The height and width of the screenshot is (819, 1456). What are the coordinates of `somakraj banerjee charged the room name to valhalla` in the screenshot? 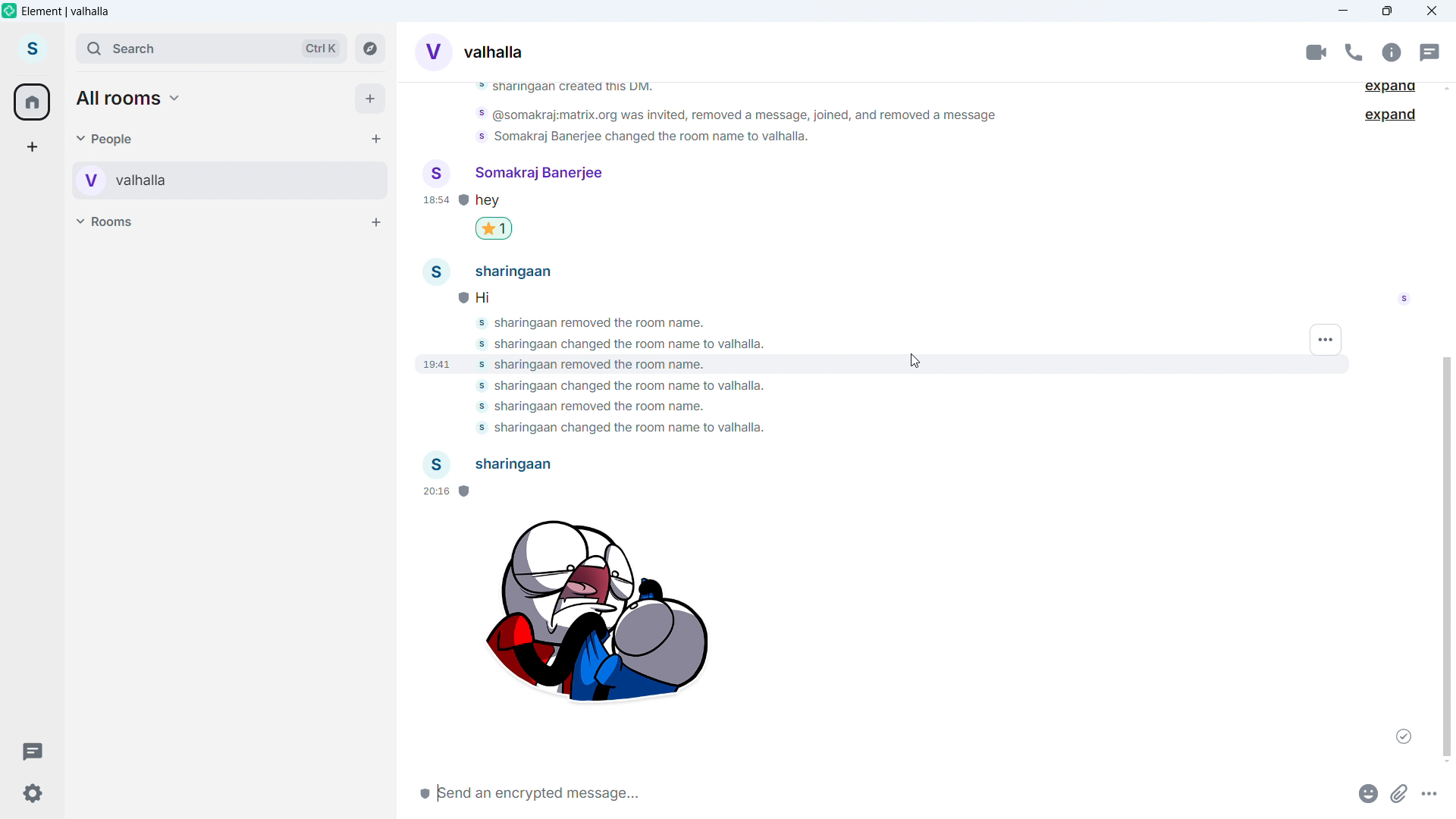 It's located at (616, 386).